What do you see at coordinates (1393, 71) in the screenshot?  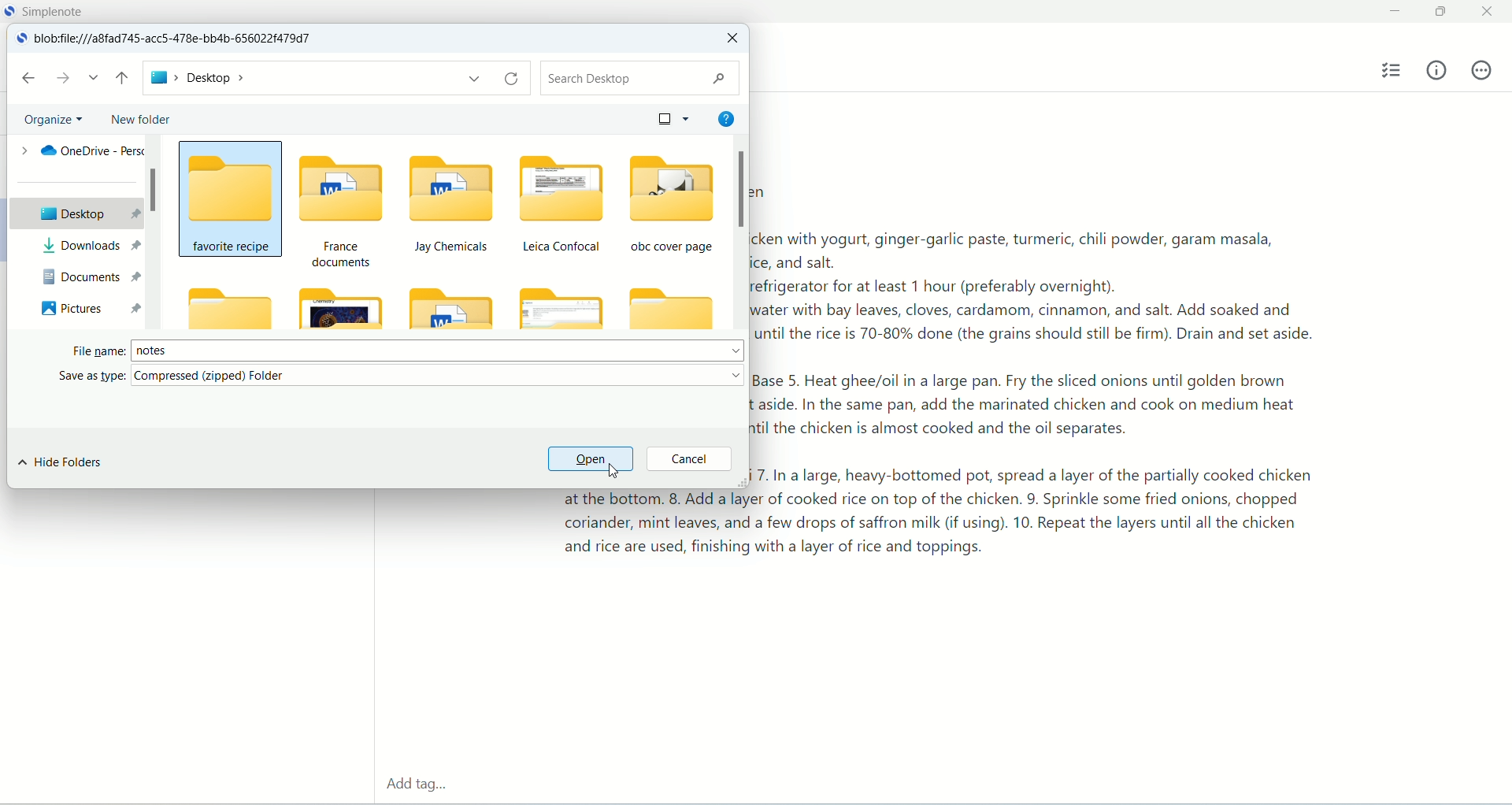 I see `insert checklist` at bounding box center [1393, 71].